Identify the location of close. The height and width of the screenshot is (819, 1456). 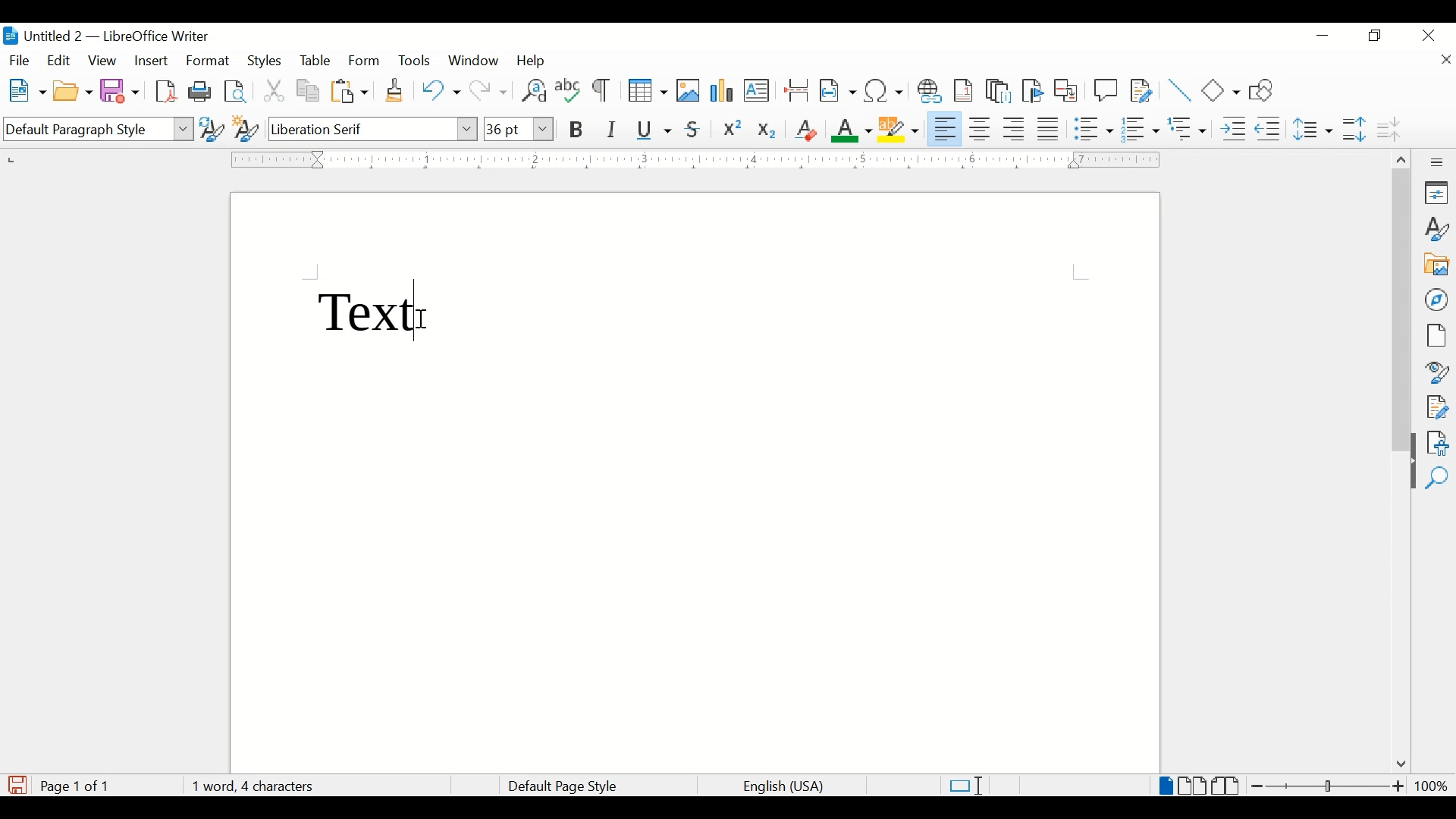
(1445, 61).